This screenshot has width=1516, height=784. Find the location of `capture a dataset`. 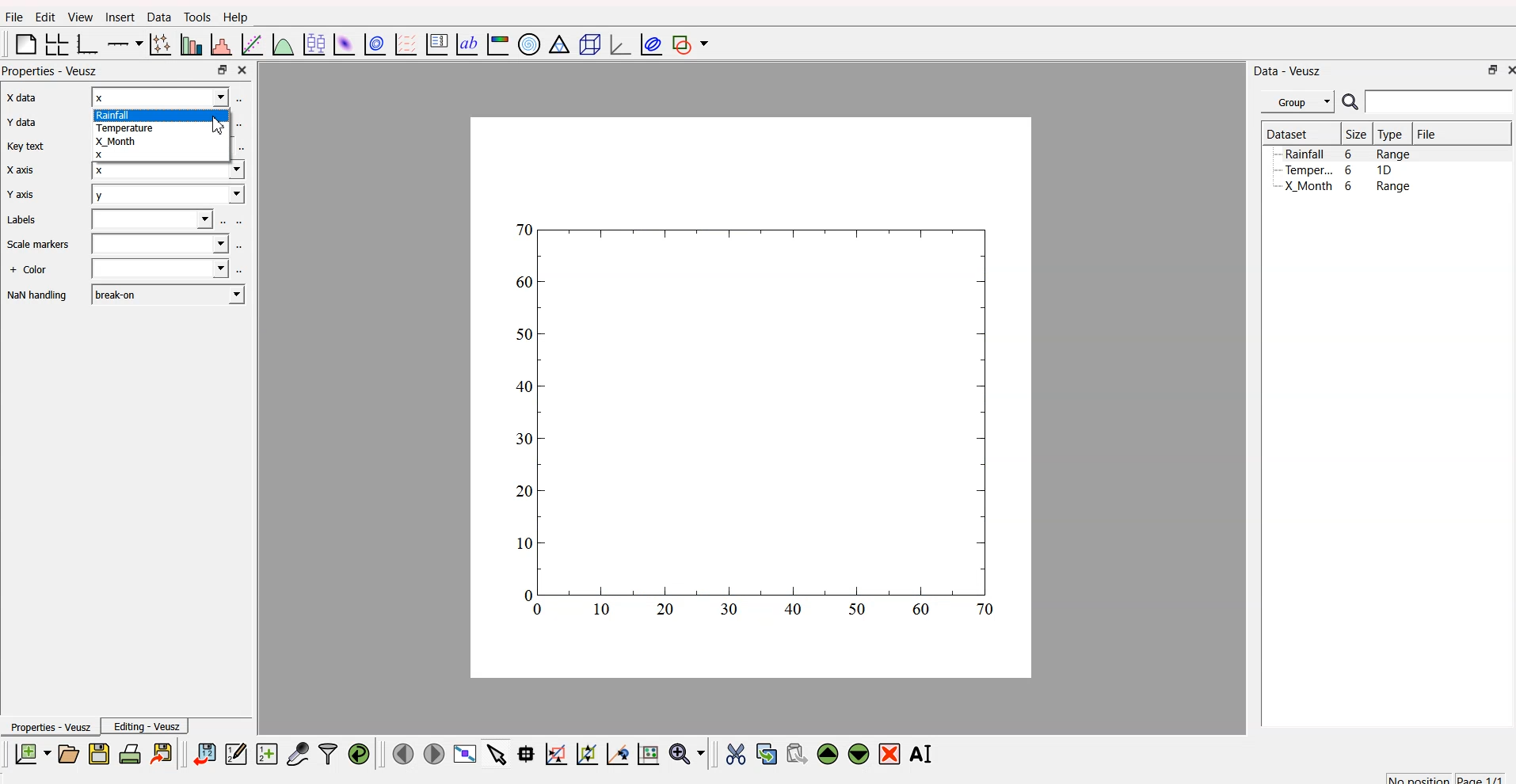

capture a dataset is located at coordinates (297, 751).